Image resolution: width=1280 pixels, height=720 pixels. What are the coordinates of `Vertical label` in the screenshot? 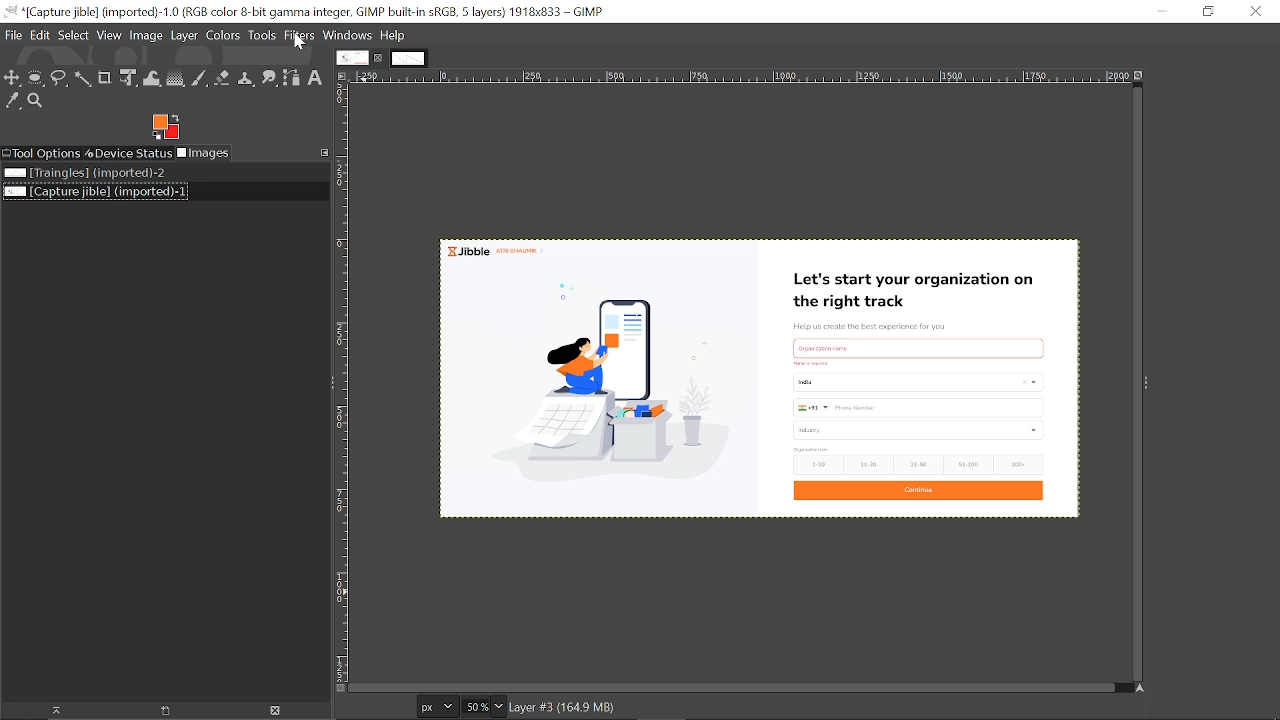 It's located at (345, 381).